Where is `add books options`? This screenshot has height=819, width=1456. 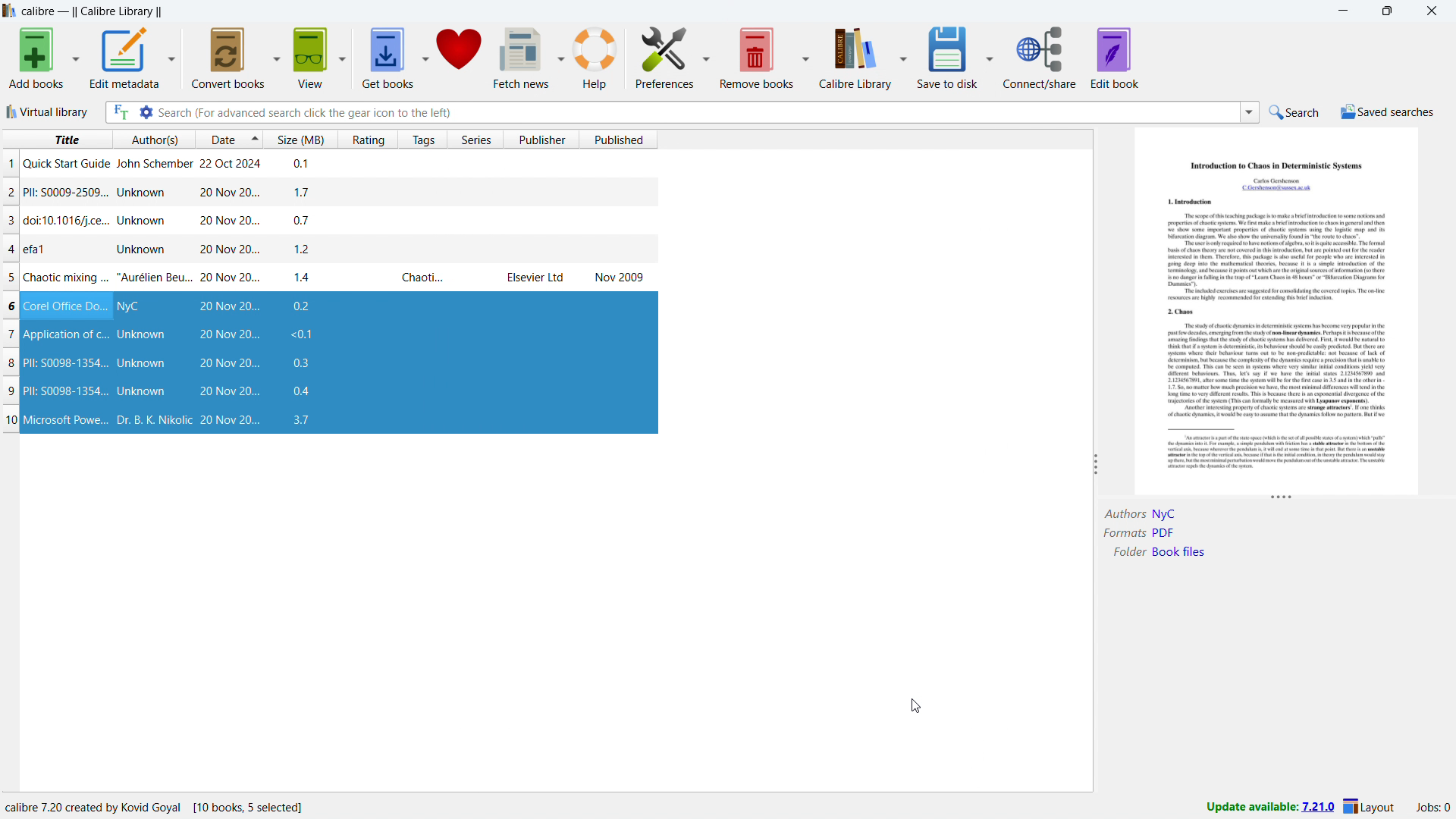 add books options is located at coordinates (75, 58).